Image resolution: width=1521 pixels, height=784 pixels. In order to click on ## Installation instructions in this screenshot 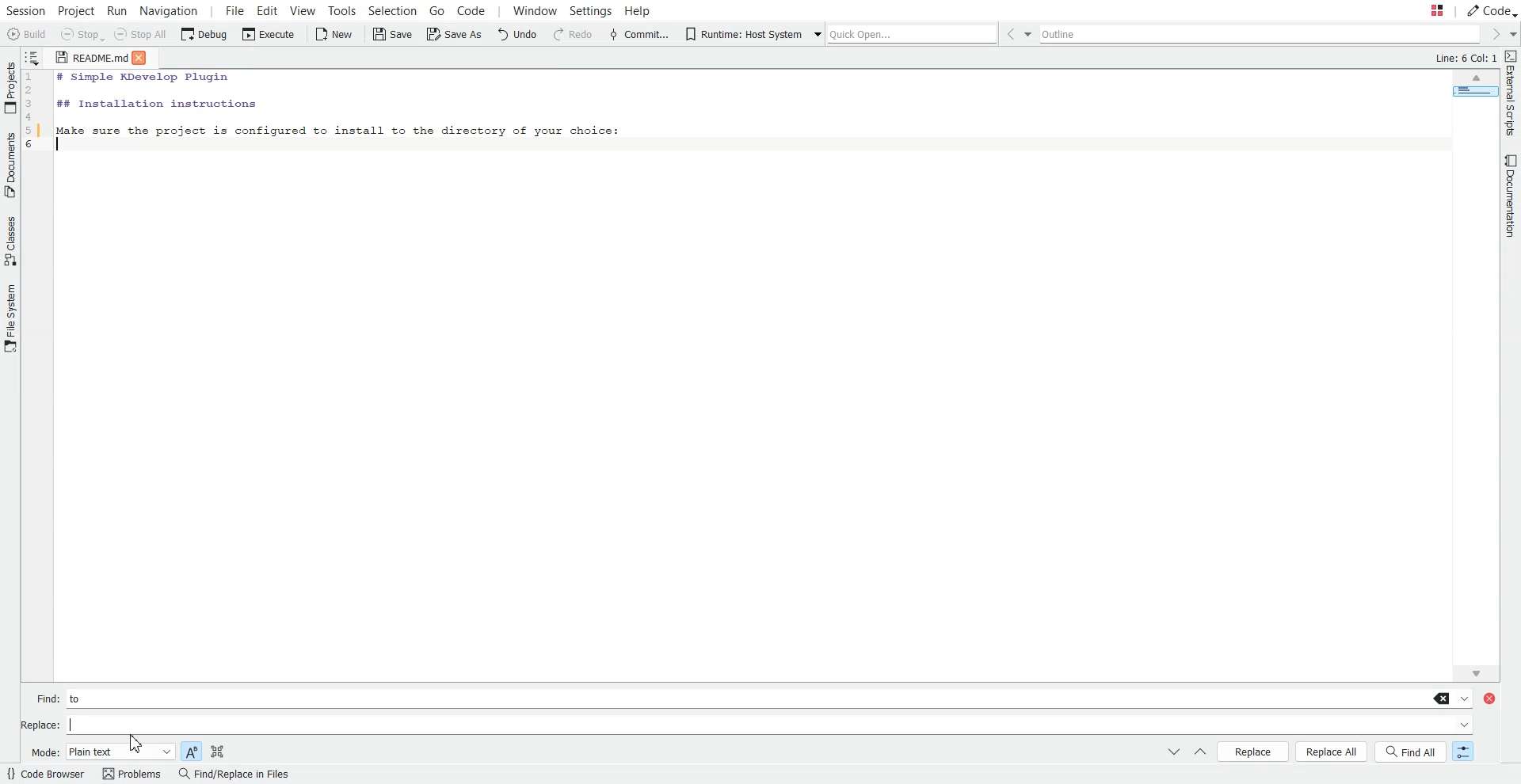, I will do `click(155, 103)`.